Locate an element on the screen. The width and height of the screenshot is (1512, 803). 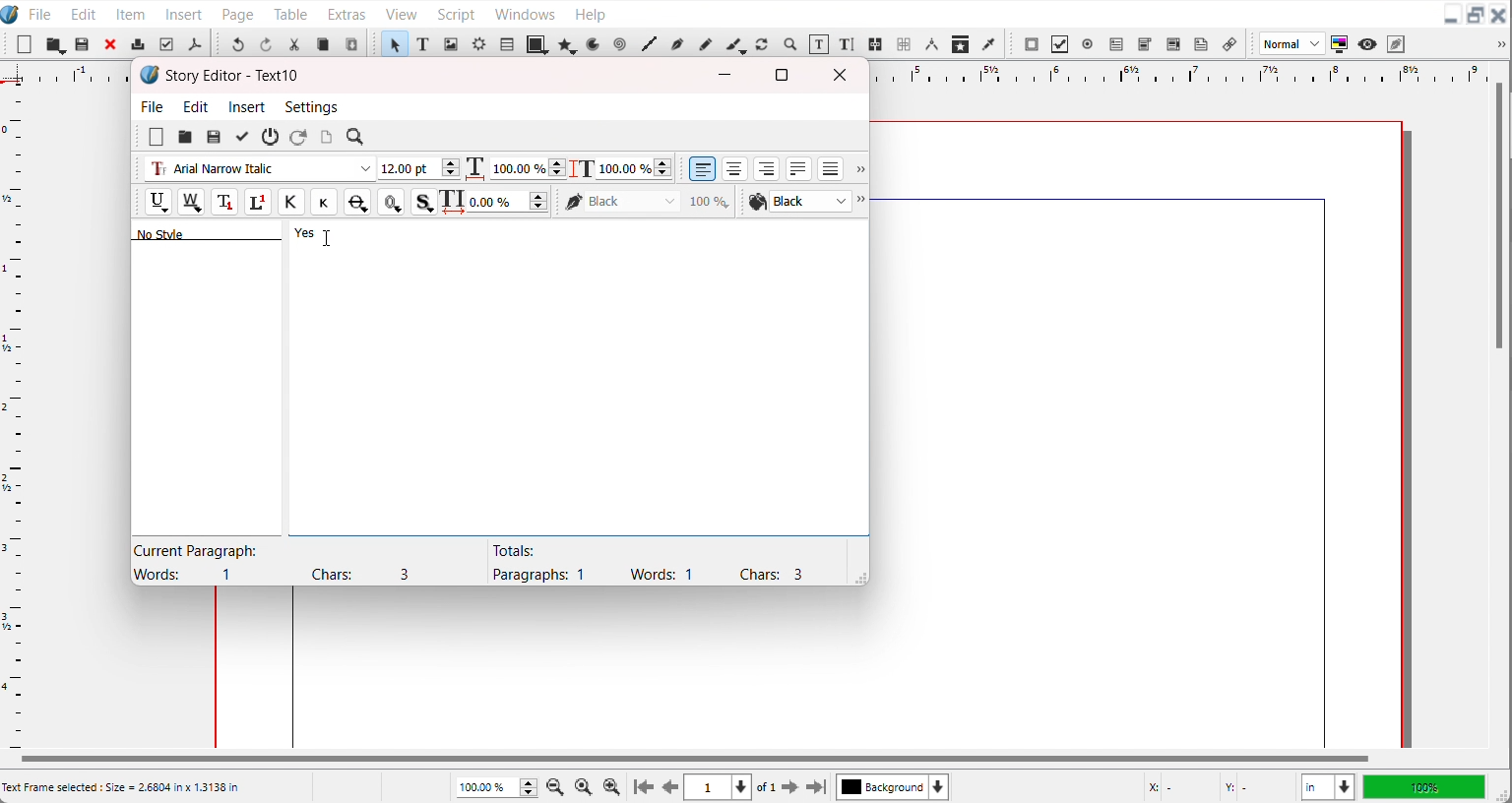
Remove underline is located at coordinates (190, 202).